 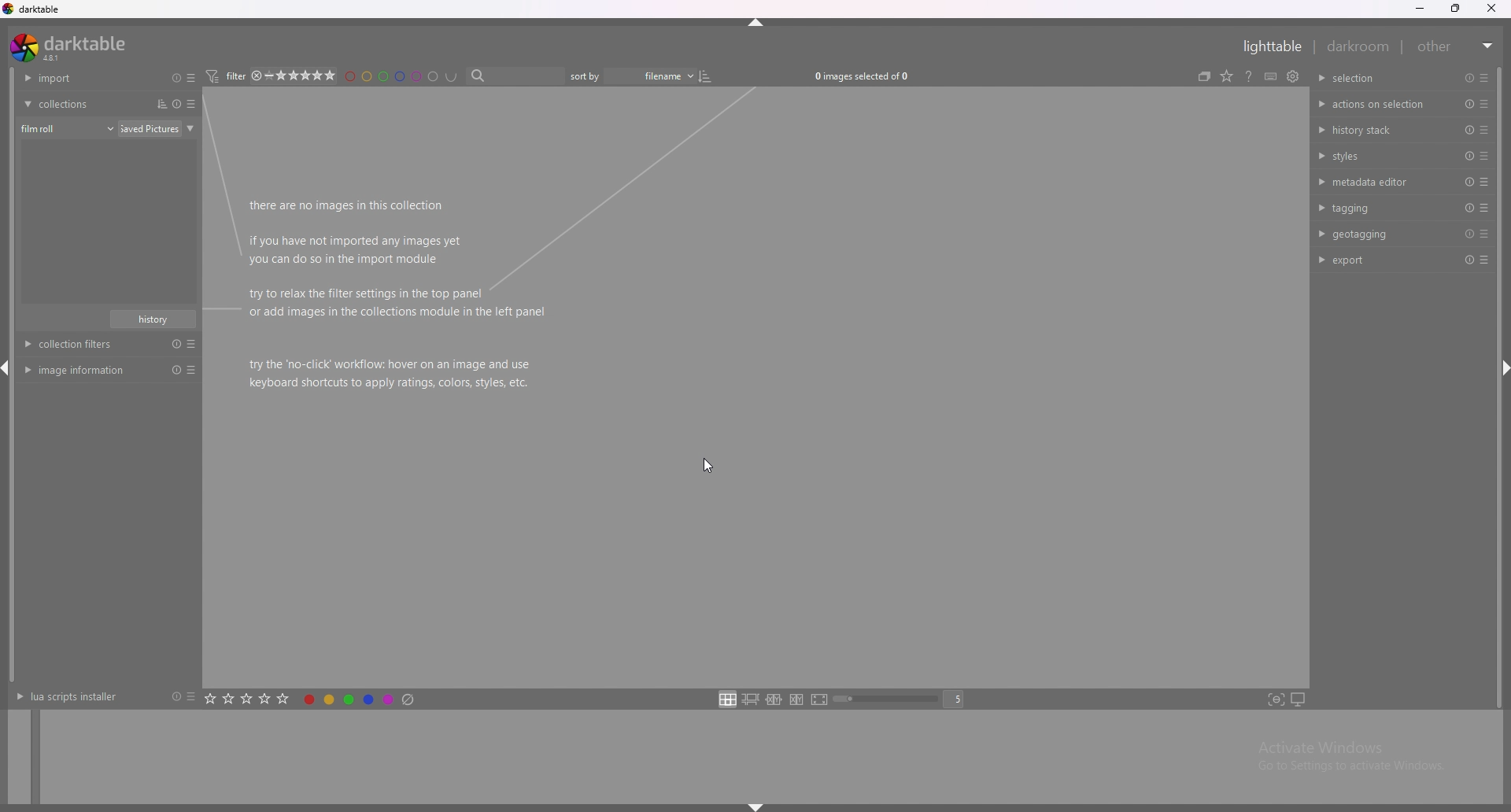 I want to click on 4star, so click(x=263, y=76).